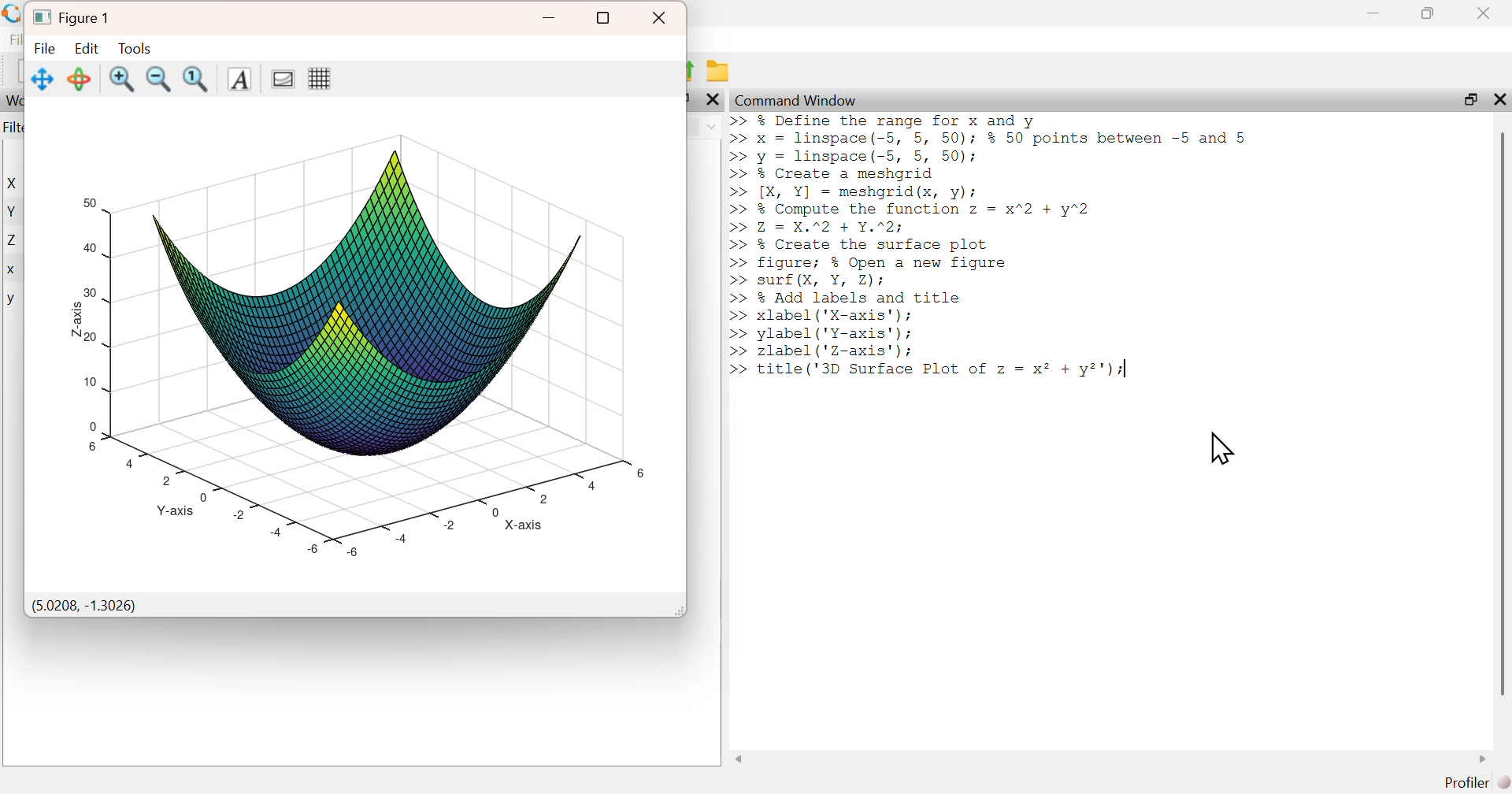 The height and width of the screenshot is (794, 1512). What do you see at coordinates (1221, 448) in the screenshot?
I see `cursor` at bounding box center [1221, 448].